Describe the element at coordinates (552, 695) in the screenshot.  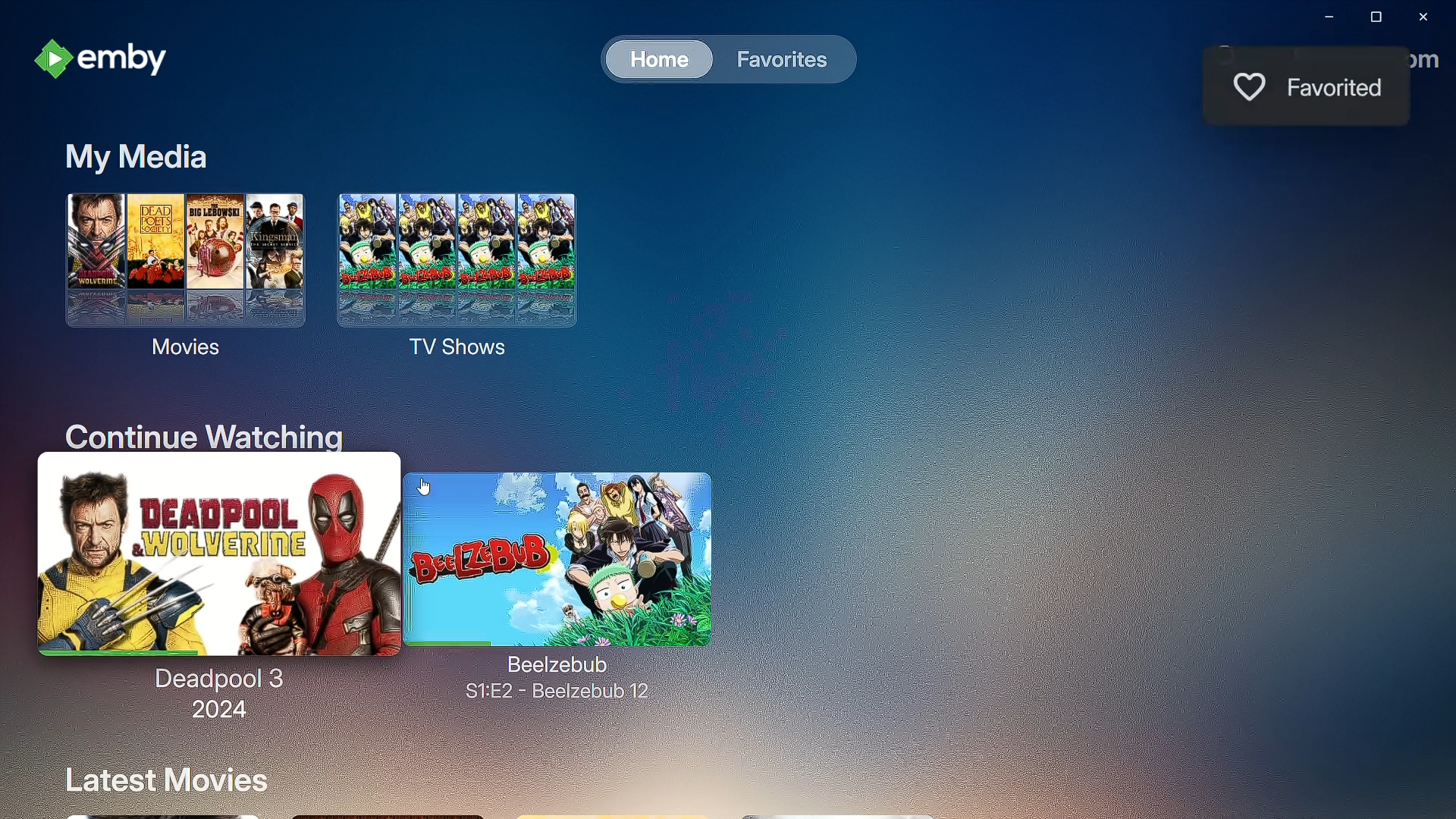
I see `S1:E2 - Beelzebub 2` at that location.